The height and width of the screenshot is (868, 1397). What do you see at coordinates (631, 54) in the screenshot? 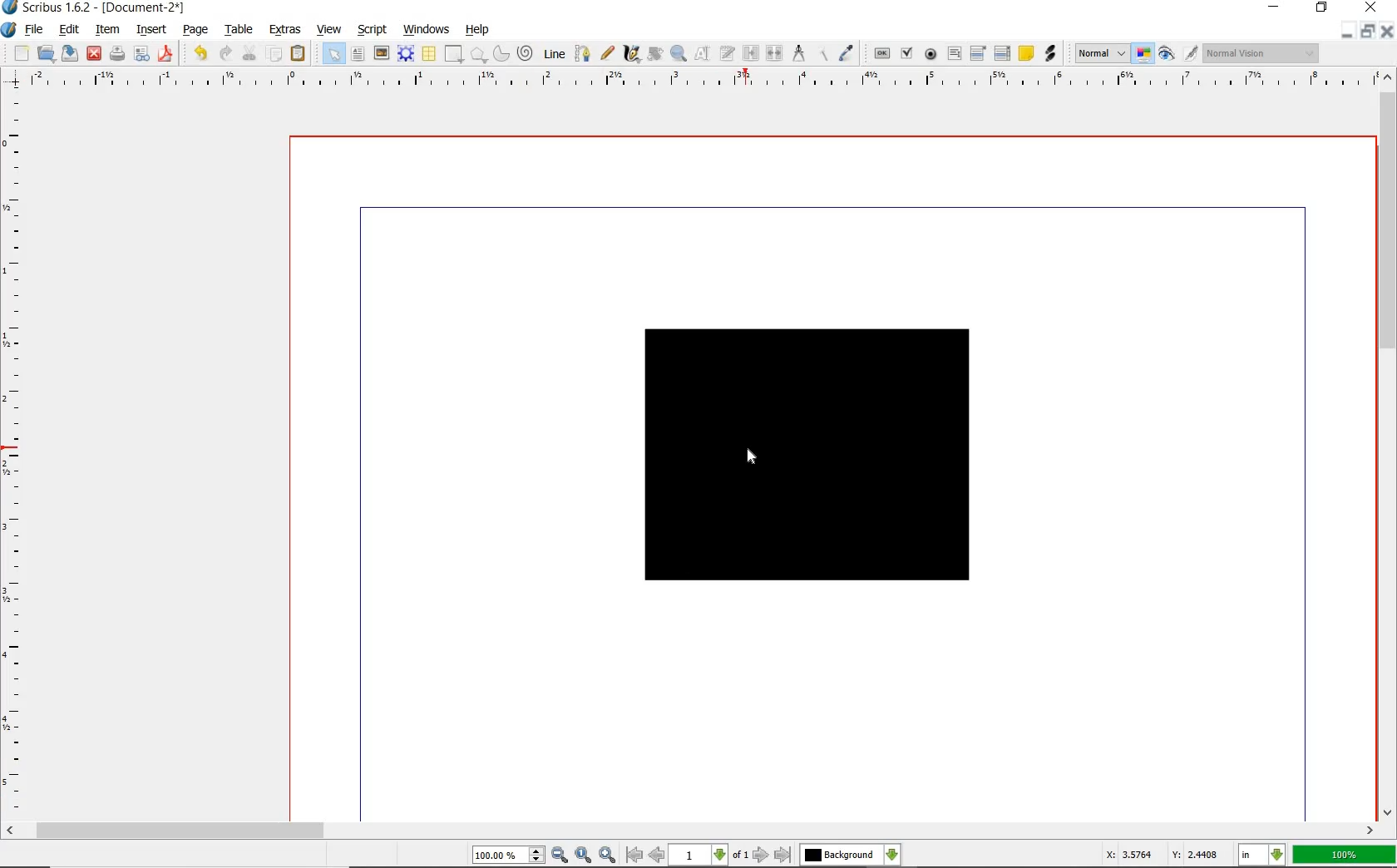
I see `calligraphic line` at bounding box center [631, 54].